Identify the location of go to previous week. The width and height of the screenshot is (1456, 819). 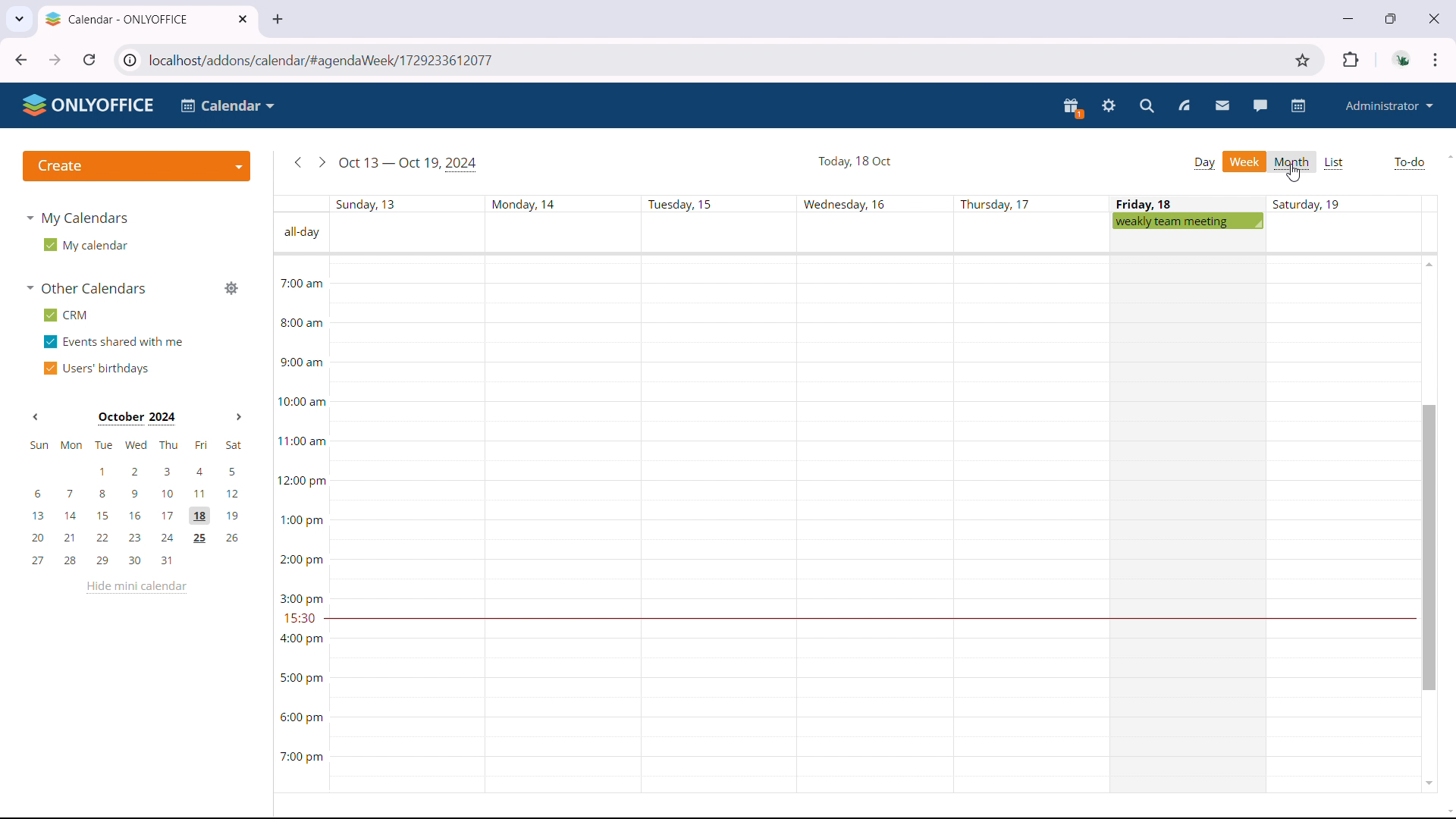
(296, 162).